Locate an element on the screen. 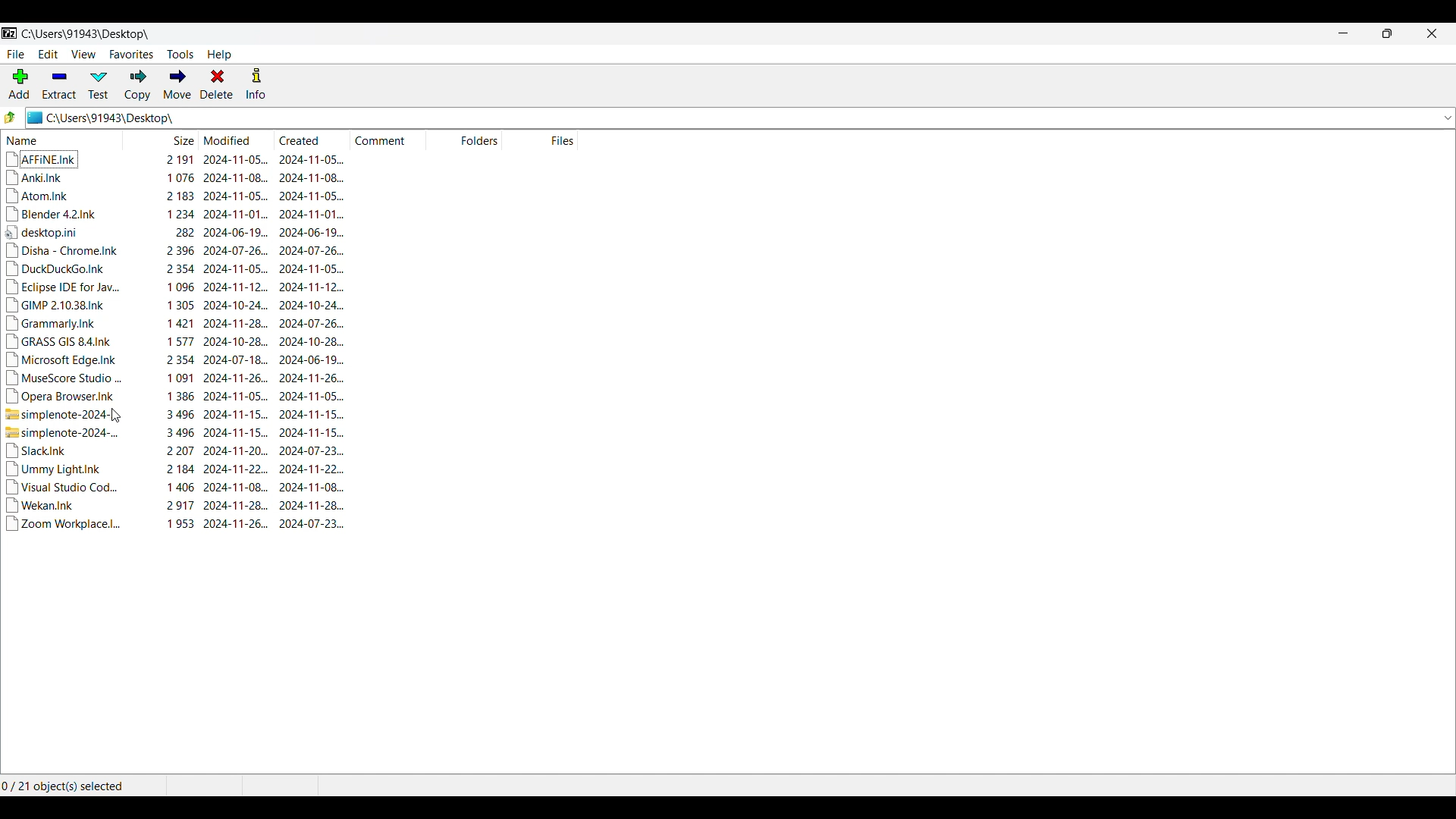 The image size is (1456, 819). Tools is located at coordinates (180, 55).